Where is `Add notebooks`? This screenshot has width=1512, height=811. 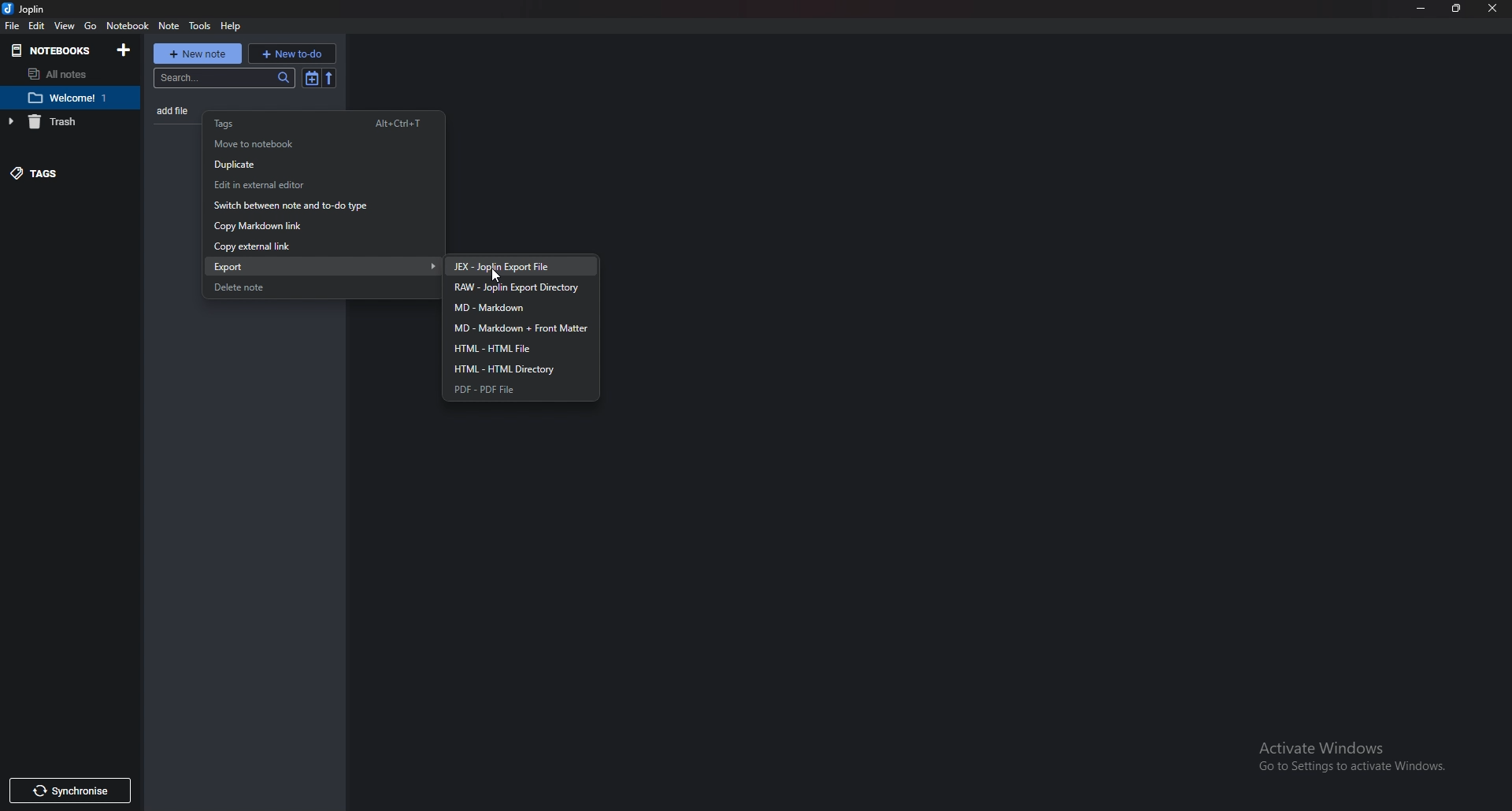 Add notebooks is located at coordinates (127, 49).